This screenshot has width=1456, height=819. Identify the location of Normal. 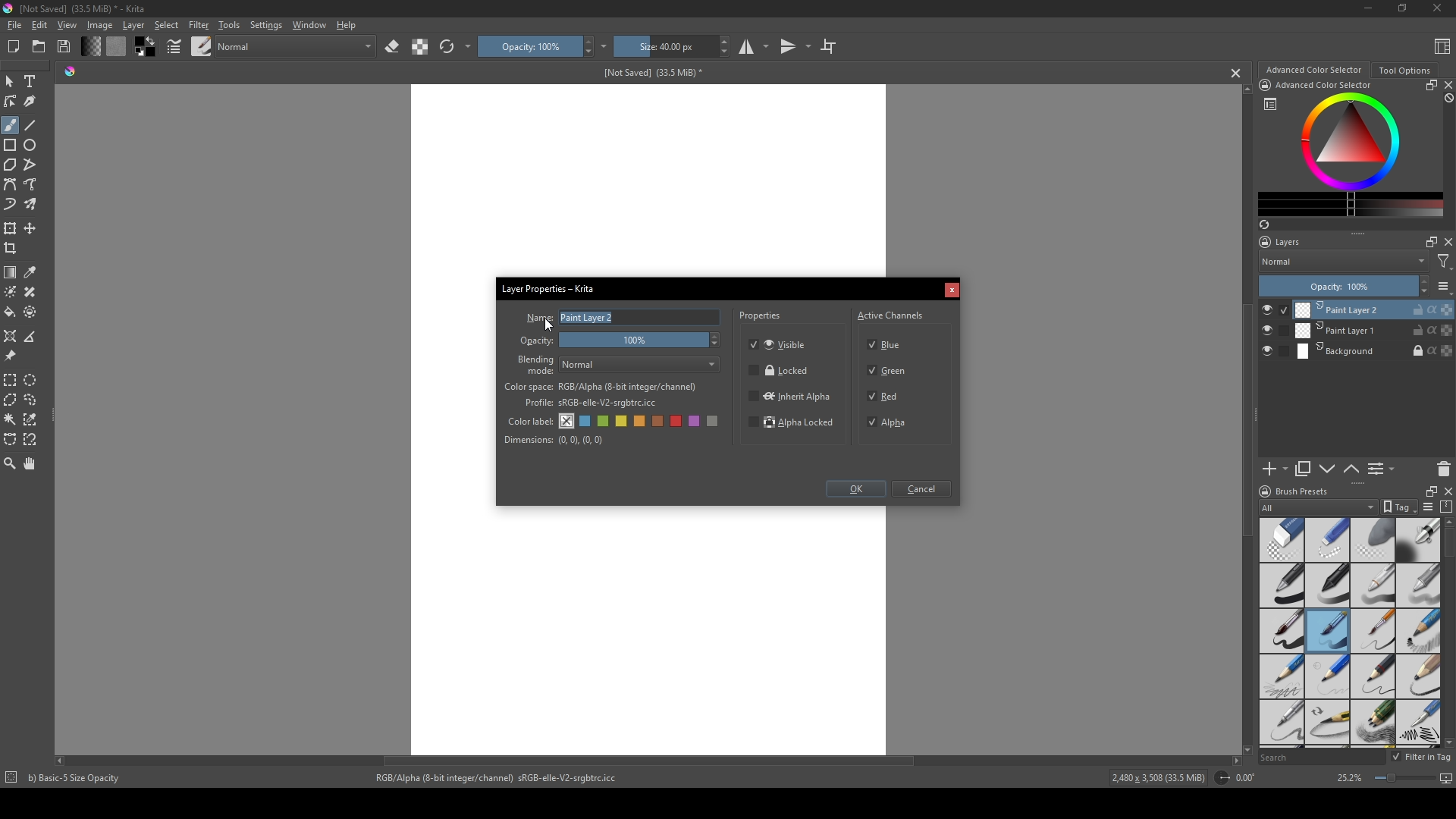
(641, 365).